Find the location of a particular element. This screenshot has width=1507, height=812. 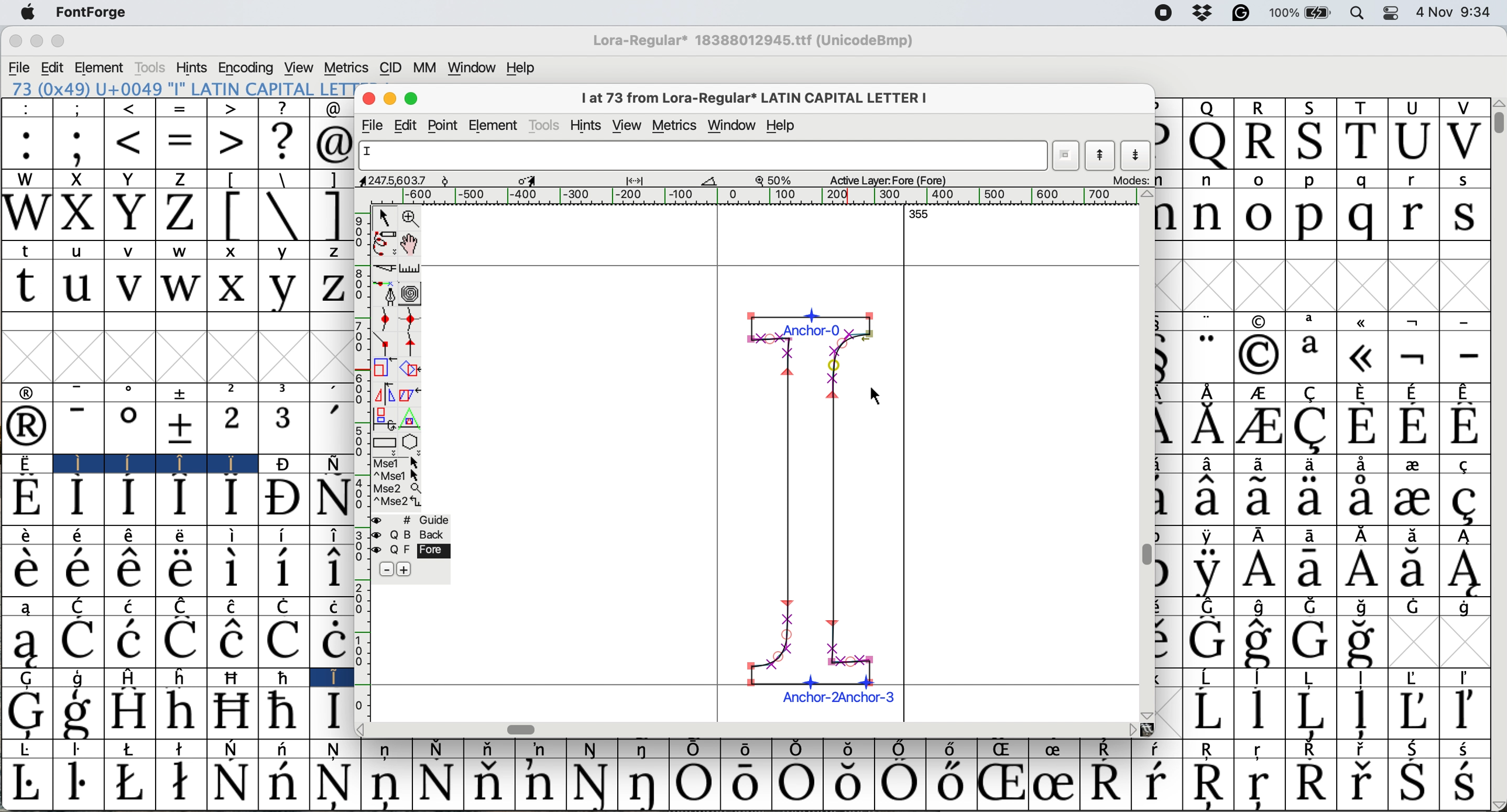

tools is located at coordinates (149, 68).